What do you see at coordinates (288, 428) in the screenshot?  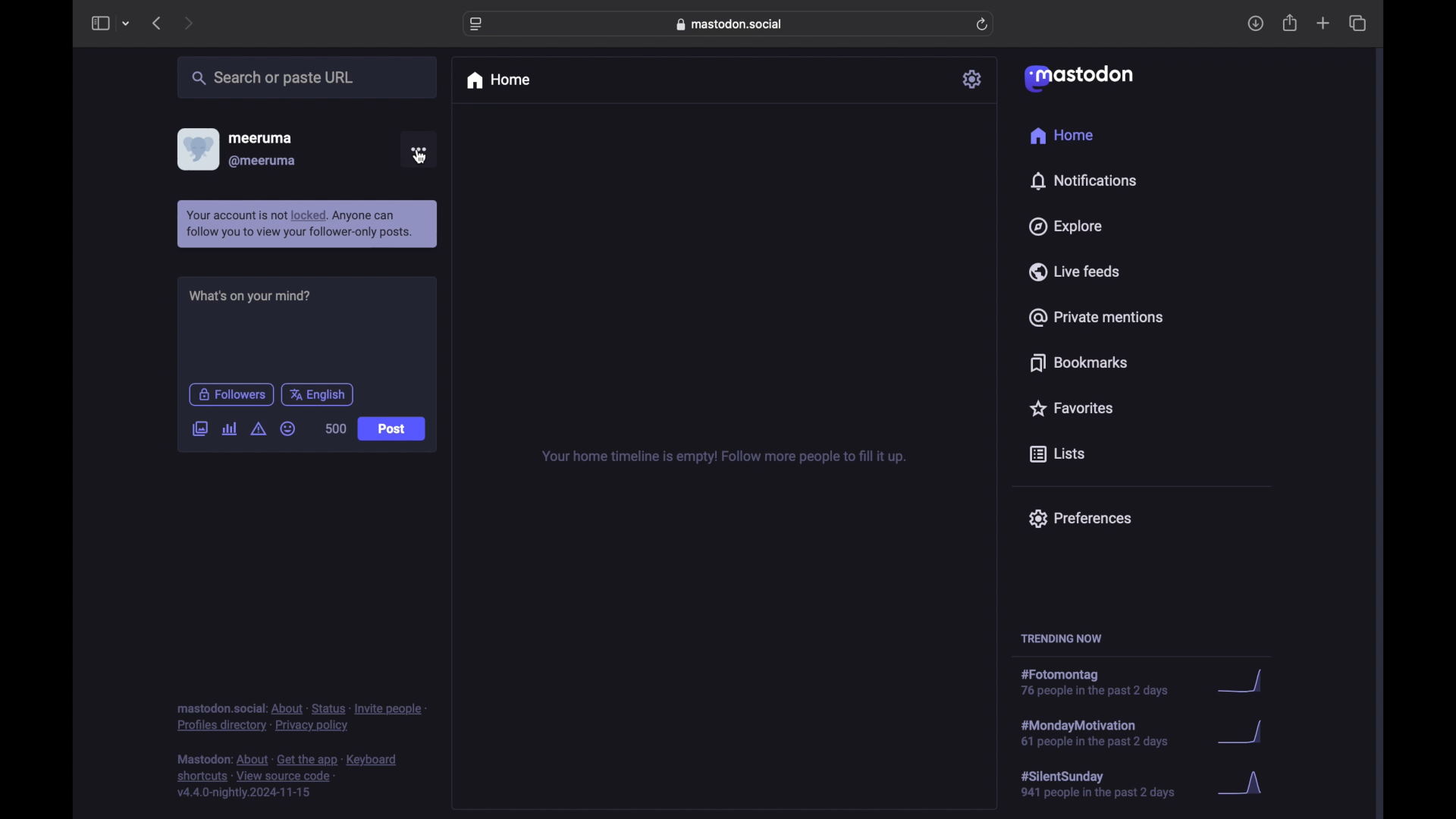 I see `emoji` at bounding box center [288, 428].